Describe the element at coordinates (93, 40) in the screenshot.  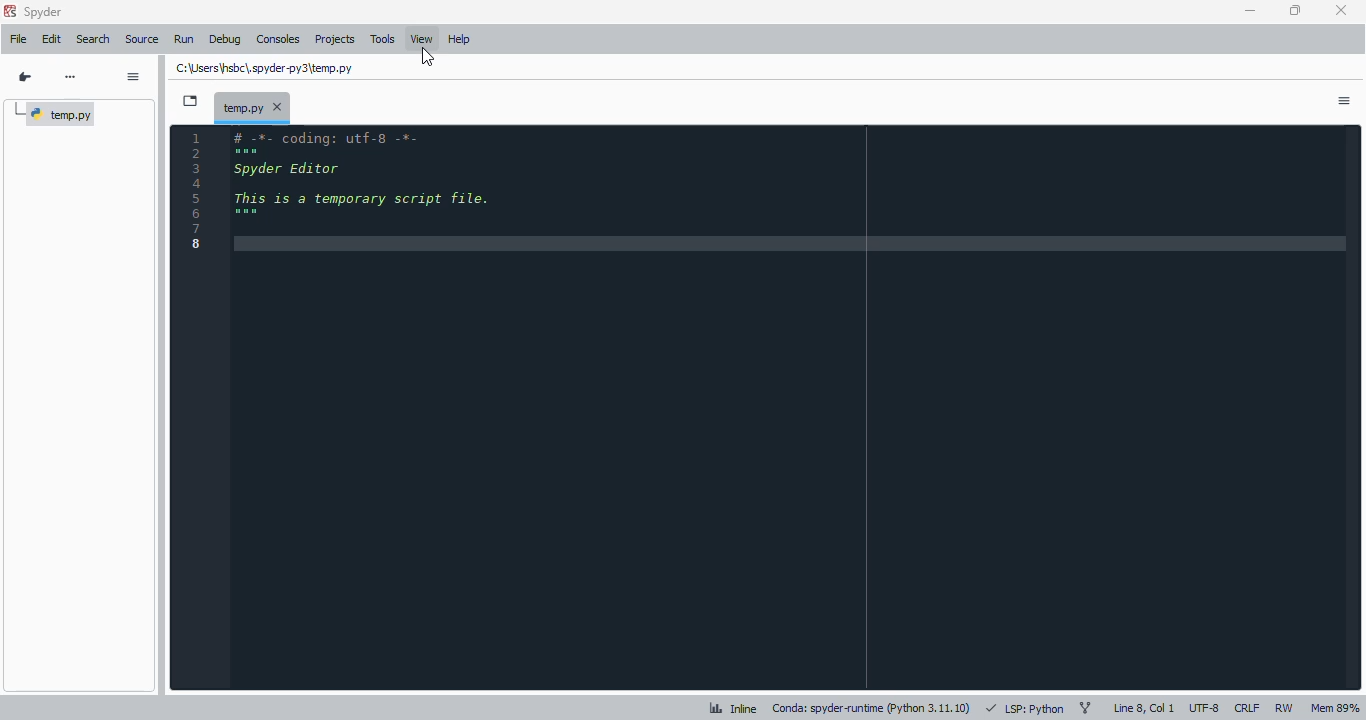
I see `search` at that location.